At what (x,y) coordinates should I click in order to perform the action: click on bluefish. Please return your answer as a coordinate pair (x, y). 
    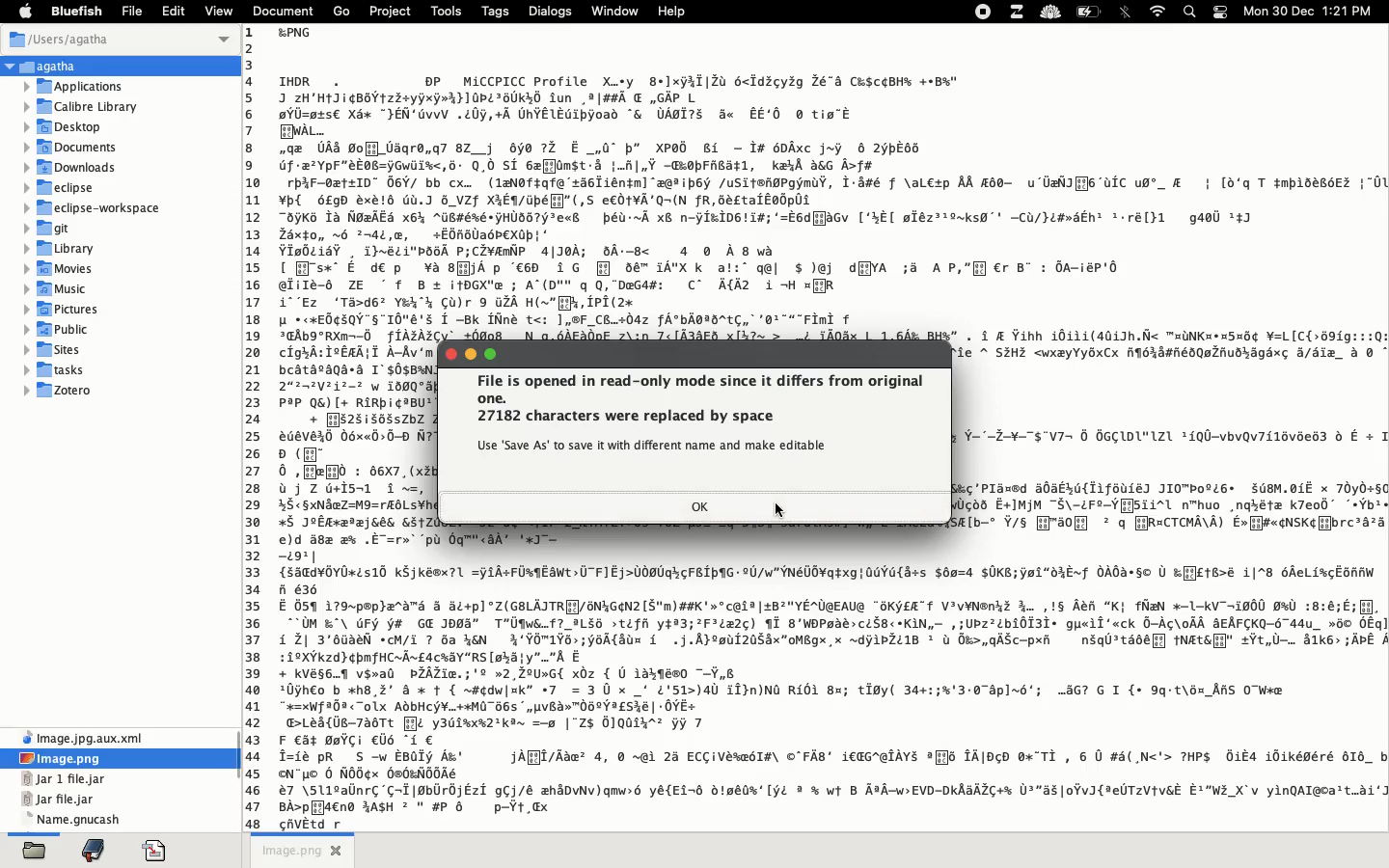
    Looking at the image, I should click on (76, 12).